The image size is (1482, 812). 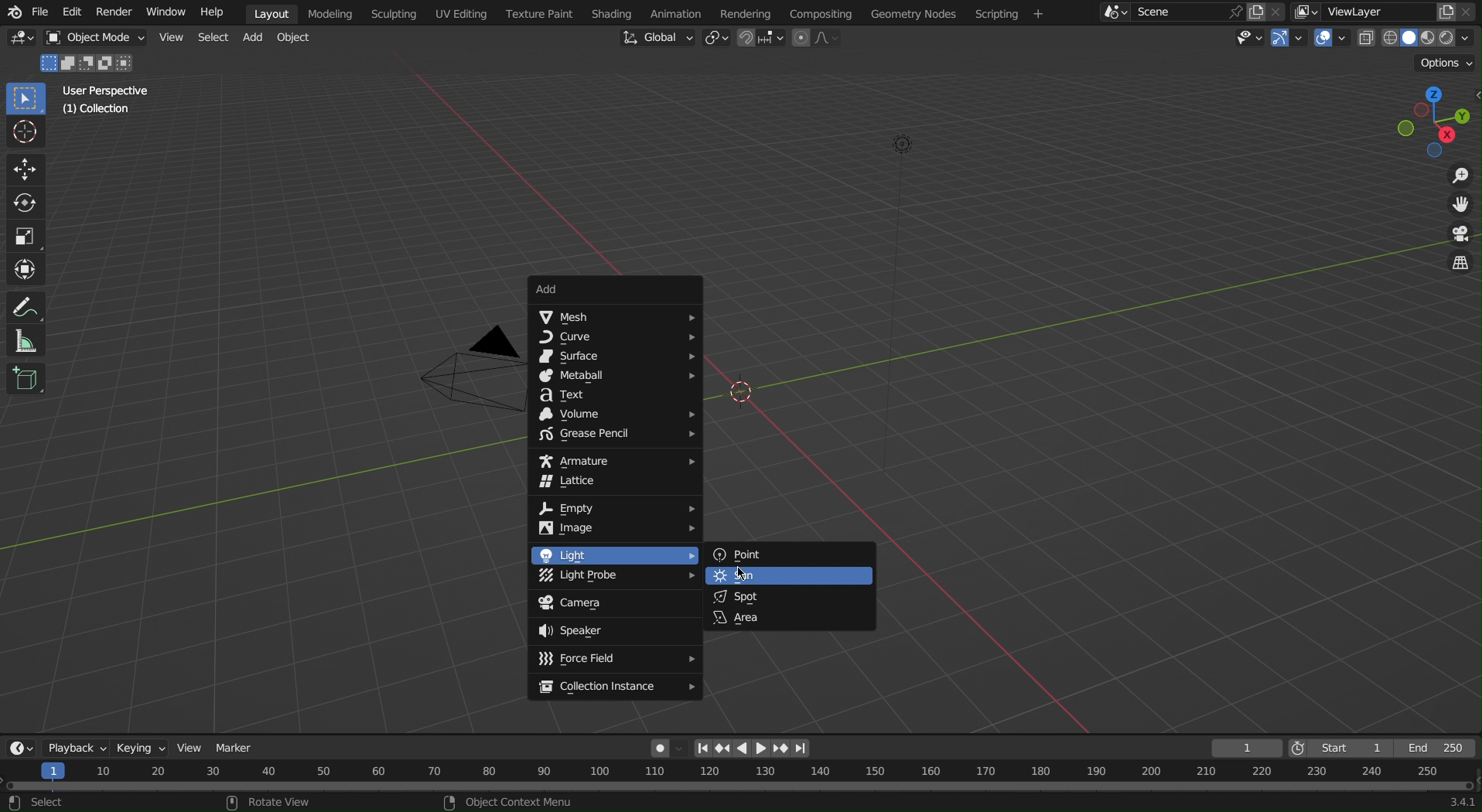 I want to click on Select, so click(x=213, y=37).